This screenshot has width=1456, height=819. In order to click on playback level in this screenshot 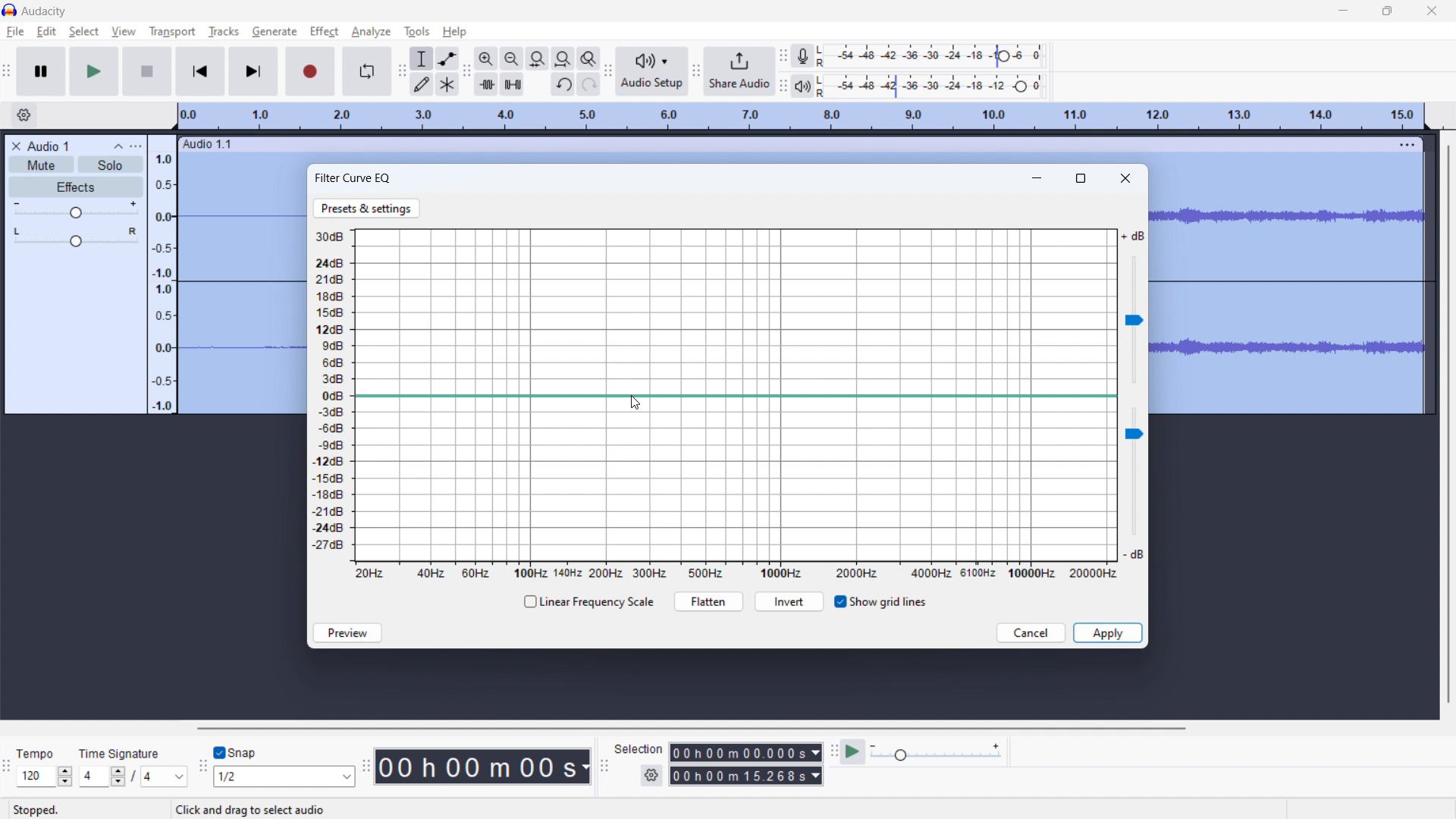, I will do `click(936, 86)`.